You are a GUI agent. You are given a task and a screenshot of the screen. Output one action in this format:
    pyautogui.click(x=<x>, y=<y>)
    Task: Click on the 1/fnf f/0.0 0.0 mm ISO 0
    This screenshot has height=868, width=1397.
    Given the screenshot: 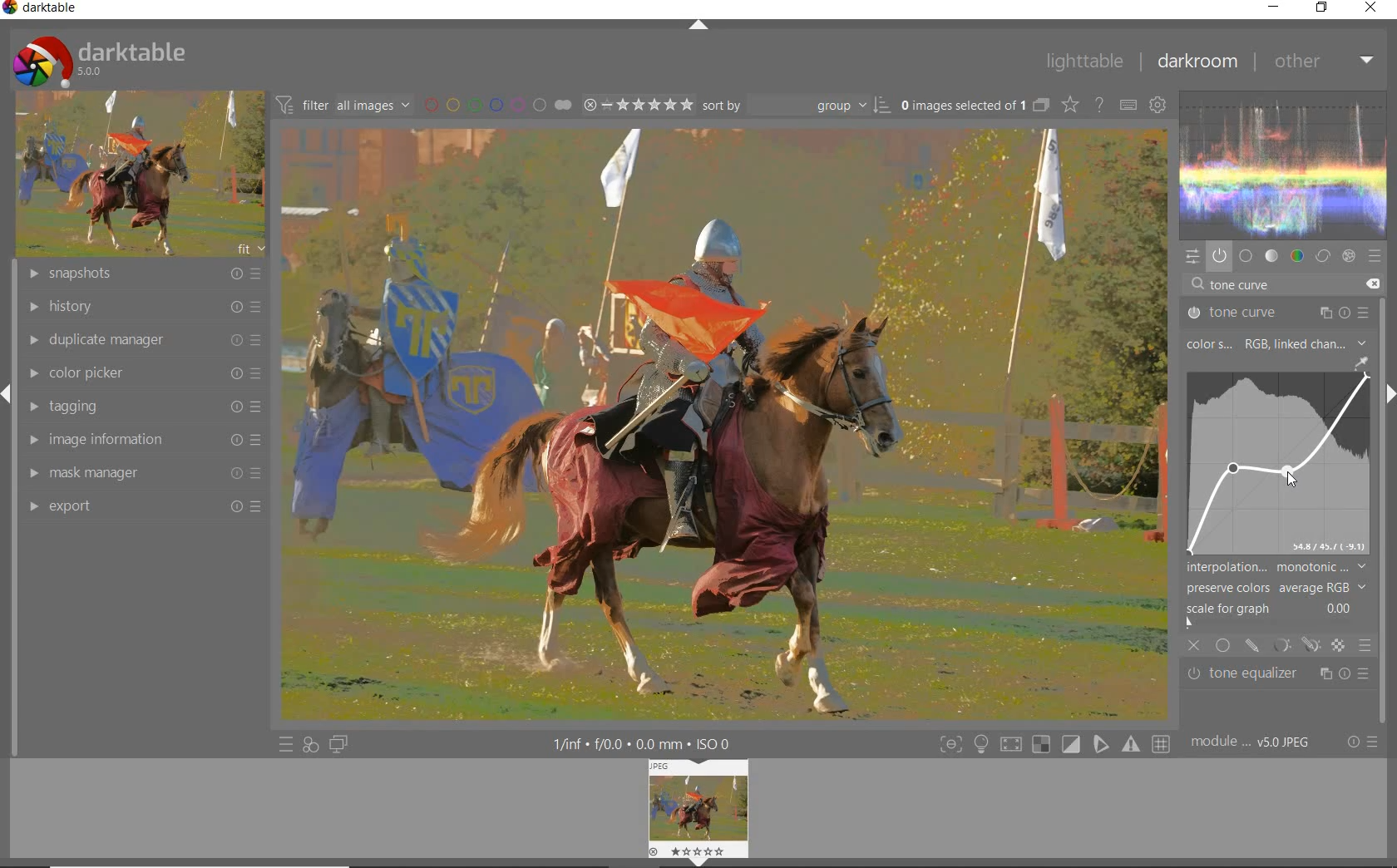 What is the action you would take?
    pyautogui.click(x=649, y=743)
    